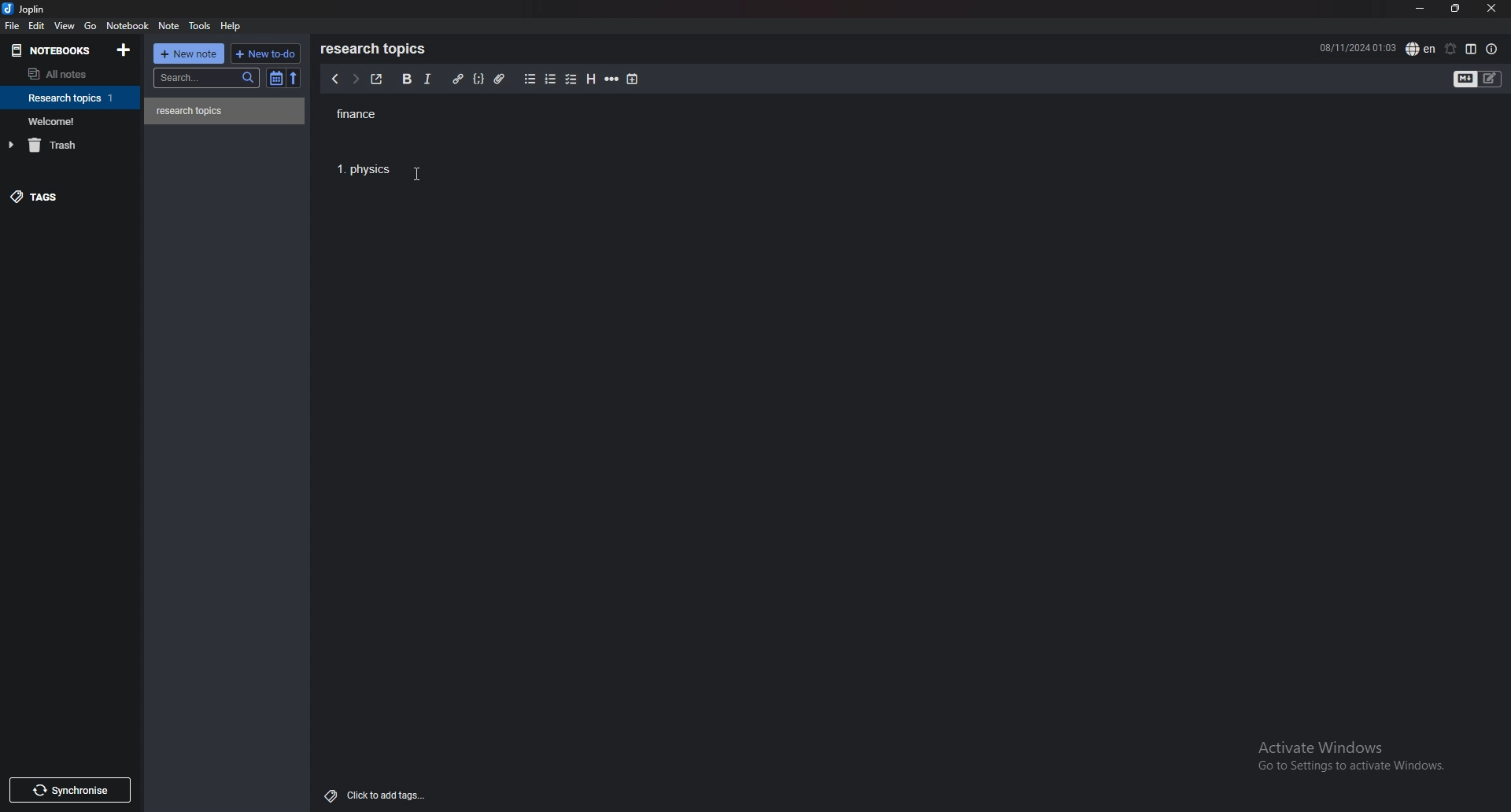 Image resolution: width=1511 pixels, height=812 pixels. I want to click on note, so click(168, 26).